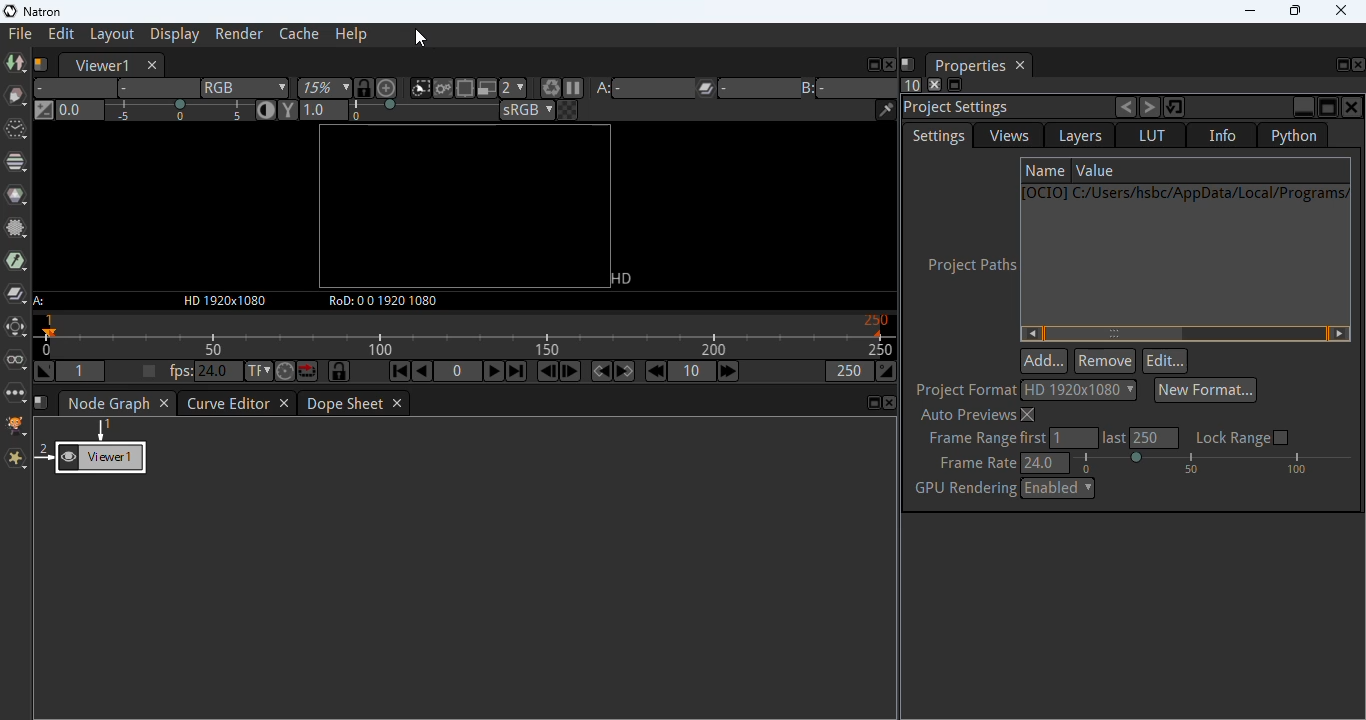 This screenshot has height=720, width=1366. Describe the element at coordinates (337, 371) in the screenshot. I see `when activated, the timeline frame-range is synchronized with the dope sheet and the curve editor.` at that location.